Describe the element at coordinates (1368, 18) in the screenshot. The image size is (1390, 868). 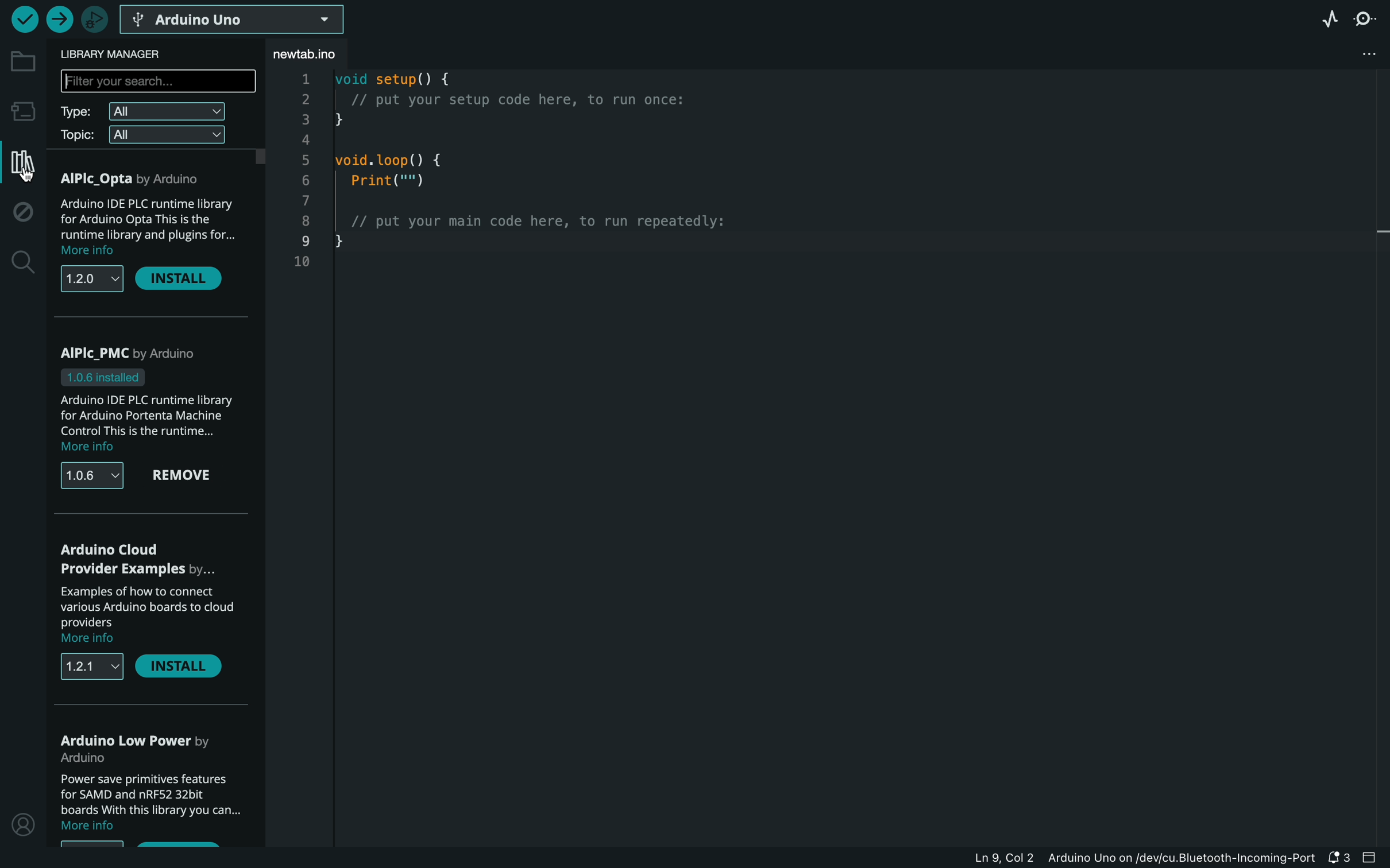
I see `serial monitor` at that location.